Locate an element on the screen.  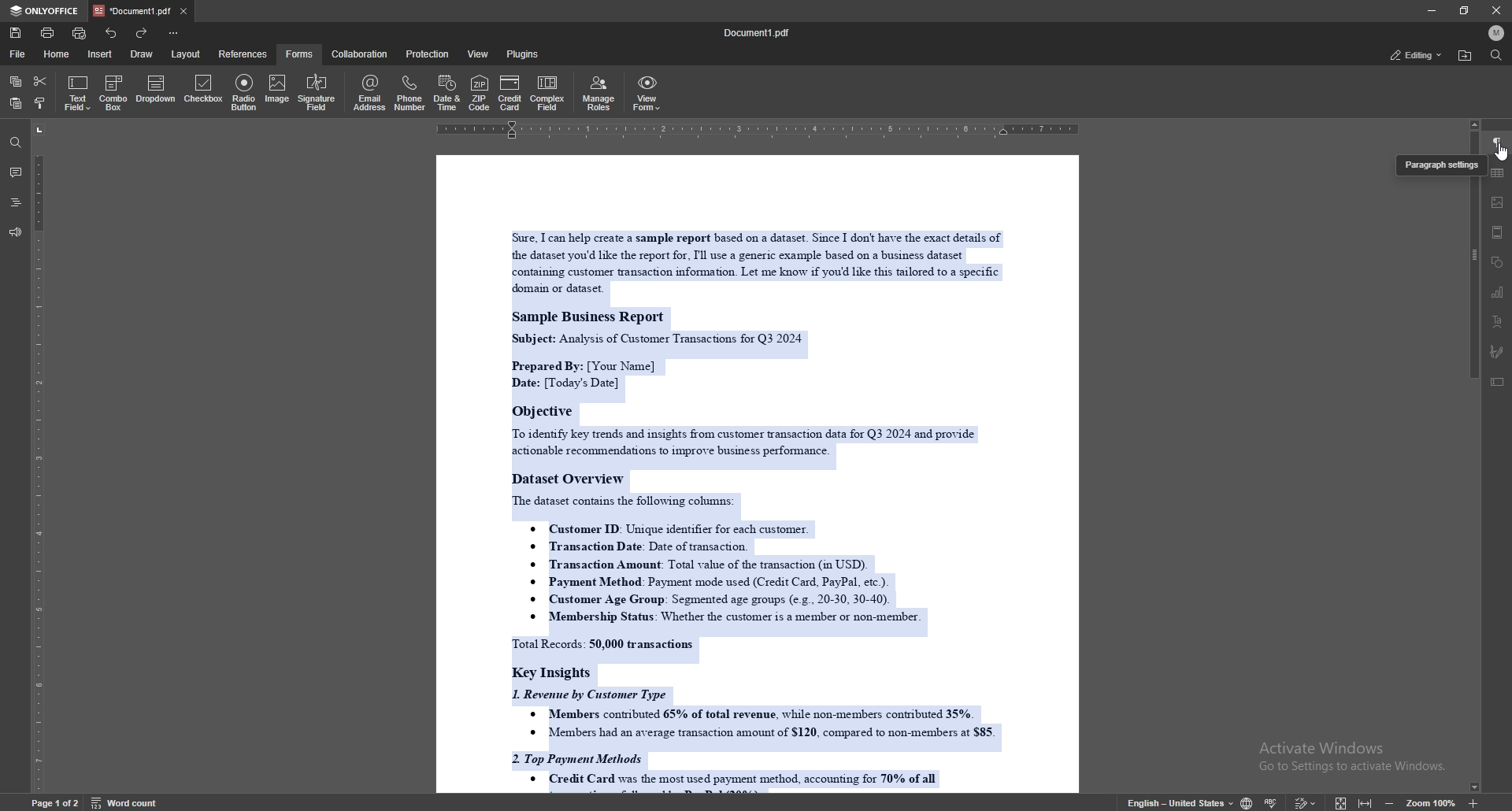
signature field is located at coordinates (317, 94).